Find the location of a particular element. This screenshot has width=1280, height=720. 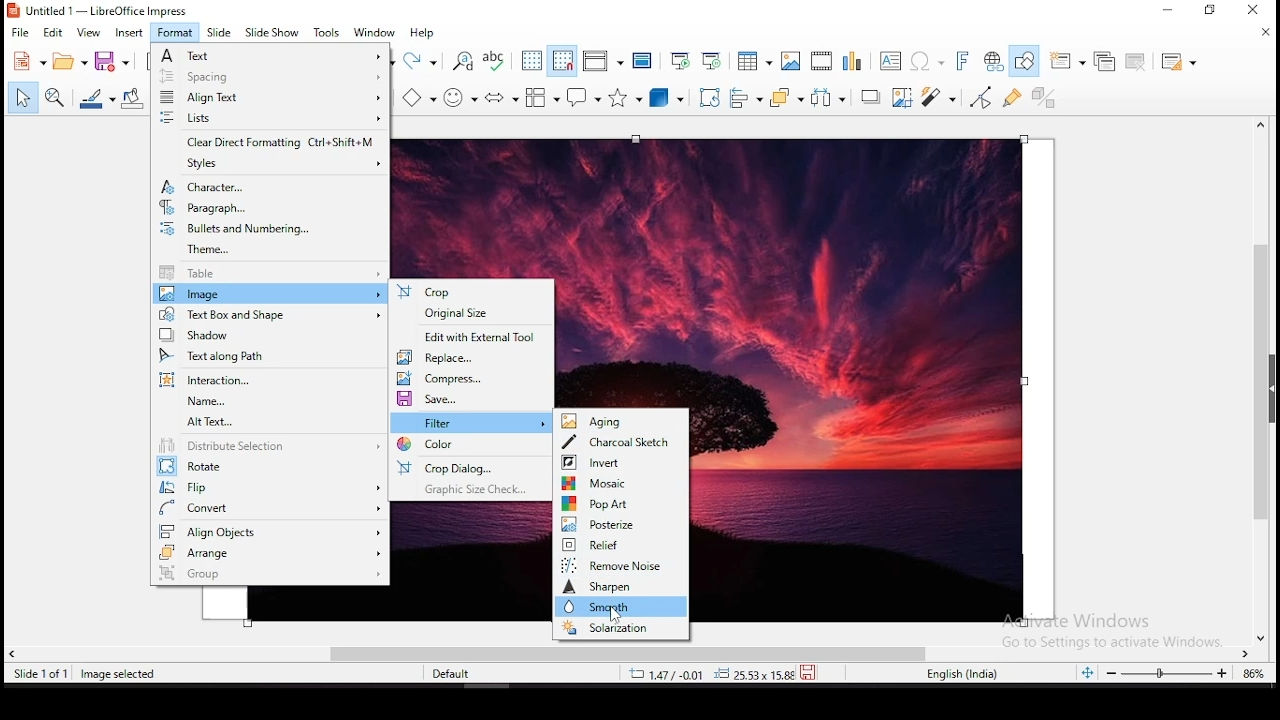

align objects is located at coordinates (270, 530).